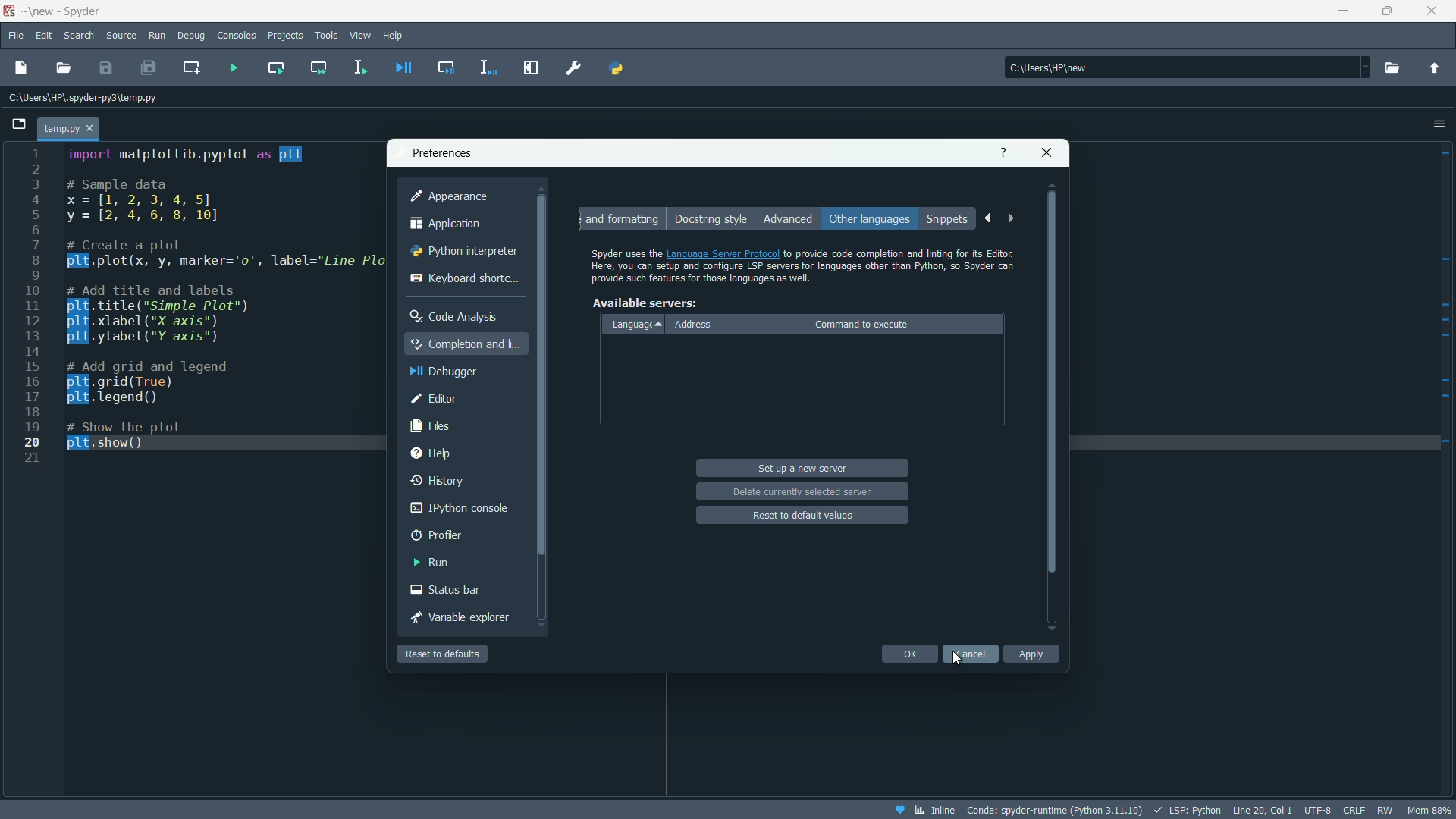 Image resolution: width=1456 pixels, height=819 pixels. I want to click on directory, so click(1188, 66).